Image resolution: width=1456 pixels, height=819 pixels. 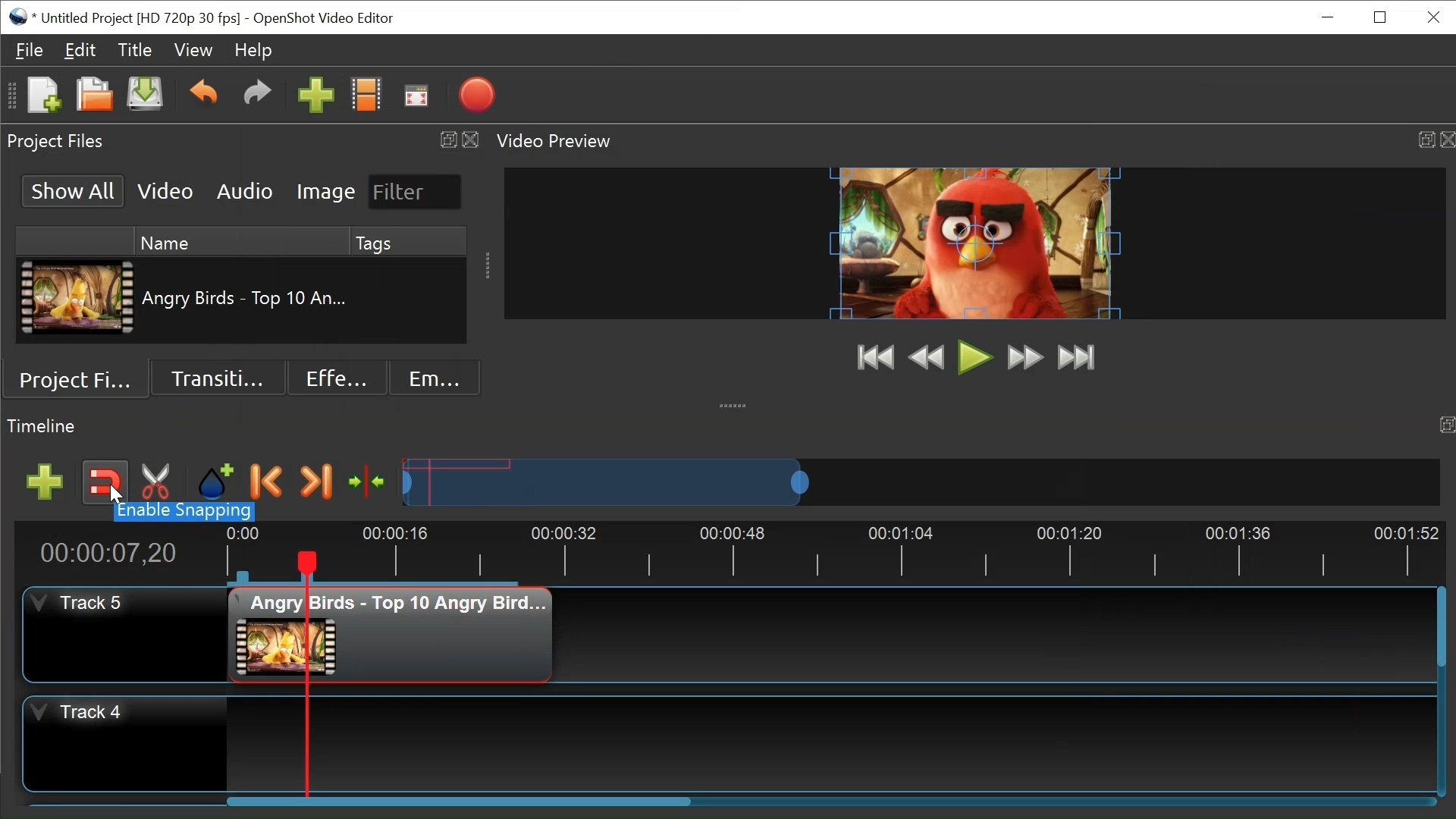 What do you see at coordinates (74, 190) in the screenshot?
I see `Show All` at bounding box center [74, 190].